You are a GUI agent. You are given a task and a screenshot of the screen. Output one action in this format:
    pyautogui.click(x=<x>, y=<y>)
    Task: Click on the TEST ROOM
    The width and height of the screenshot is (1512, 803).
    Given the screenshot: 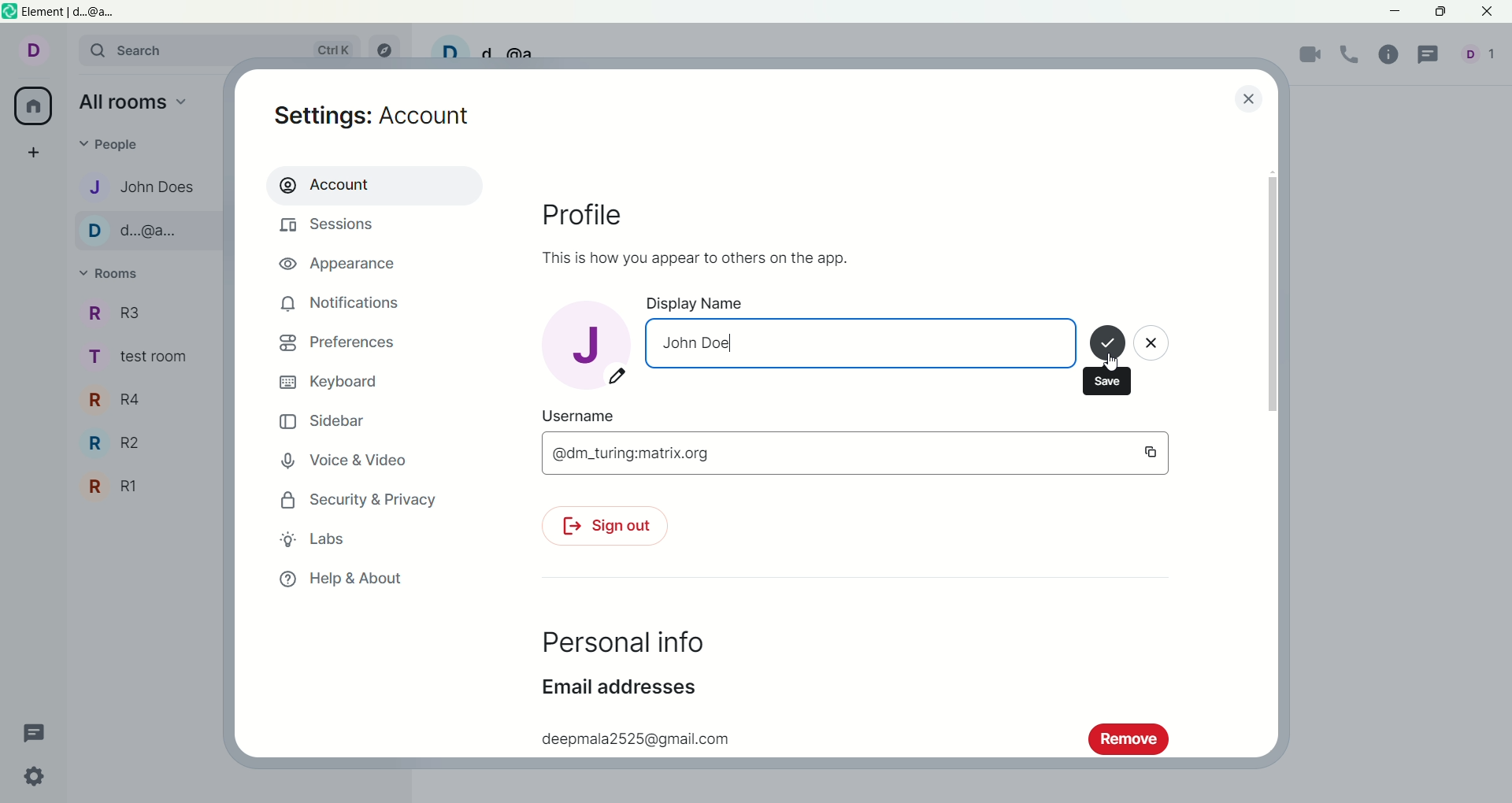 What is the action you would take?
    pyautogui.click(x=145, y=361)
    